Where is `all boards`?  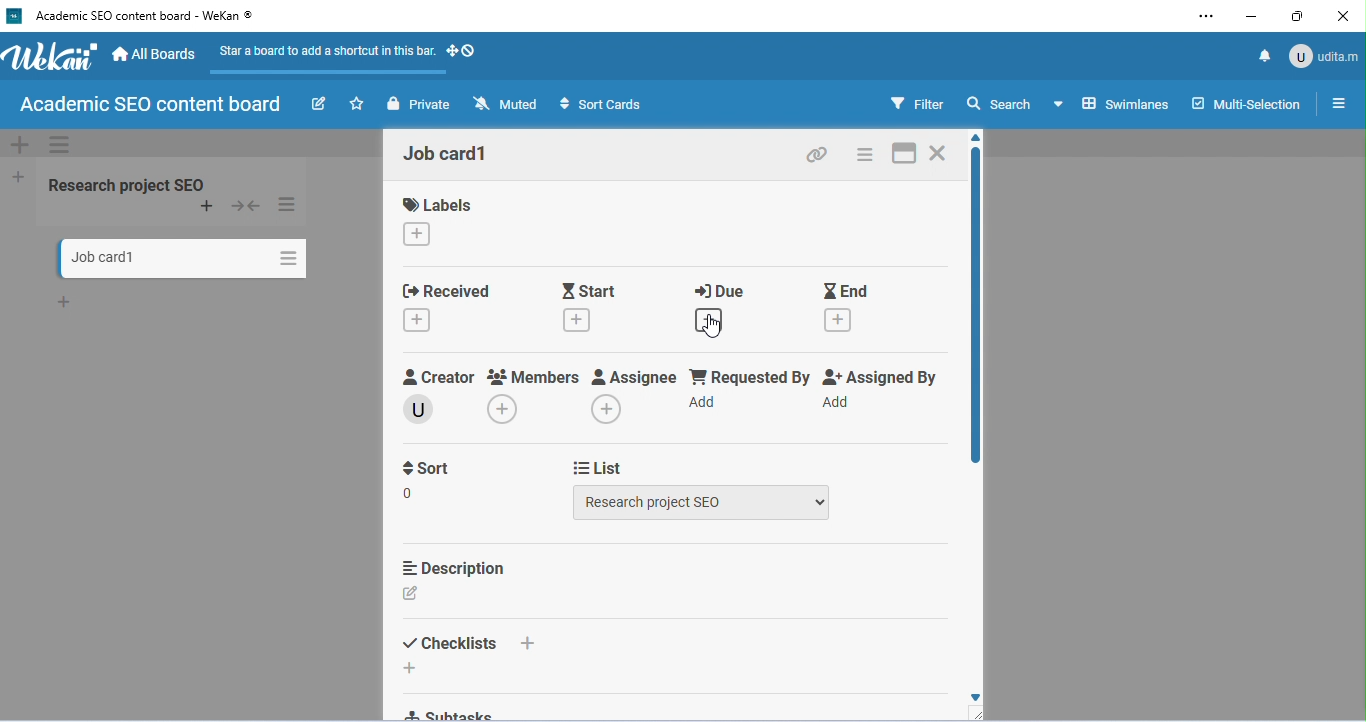
all boards is located at coordinates (156, 55).